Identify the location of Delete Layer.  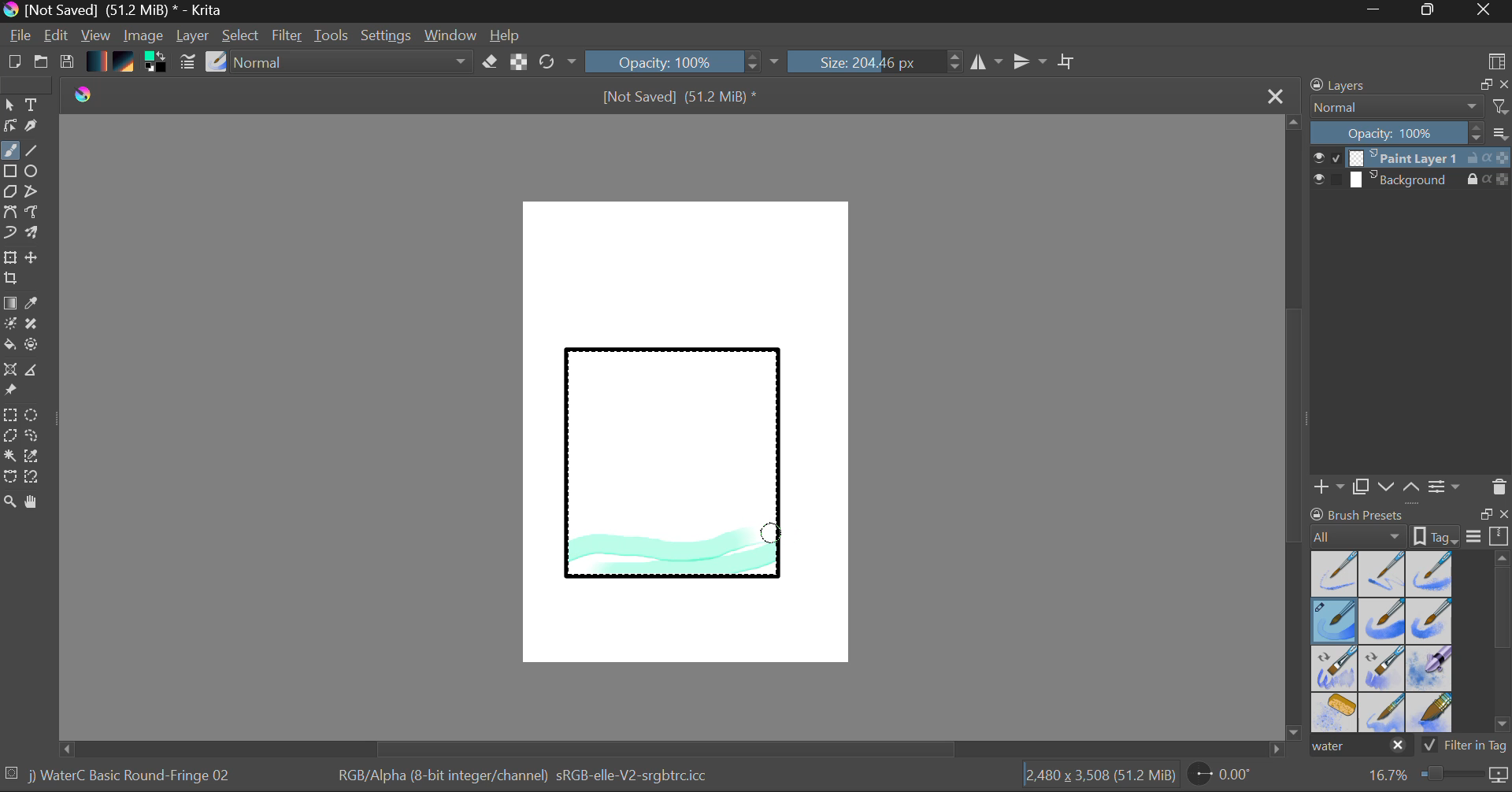
(1499, 487).